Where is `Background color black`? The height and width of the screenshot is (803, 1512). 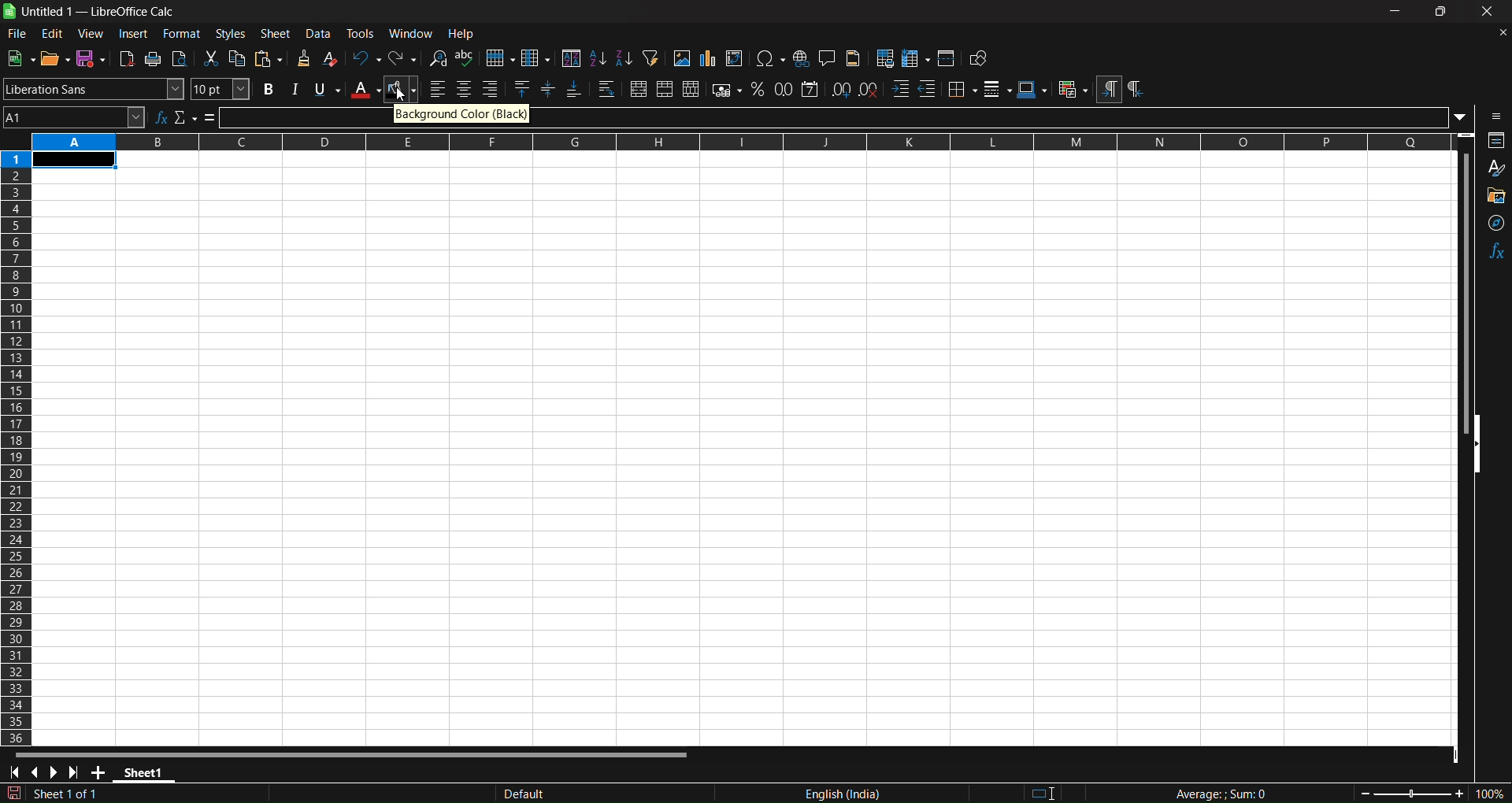 Background color black is located at coordinates (462, 114).